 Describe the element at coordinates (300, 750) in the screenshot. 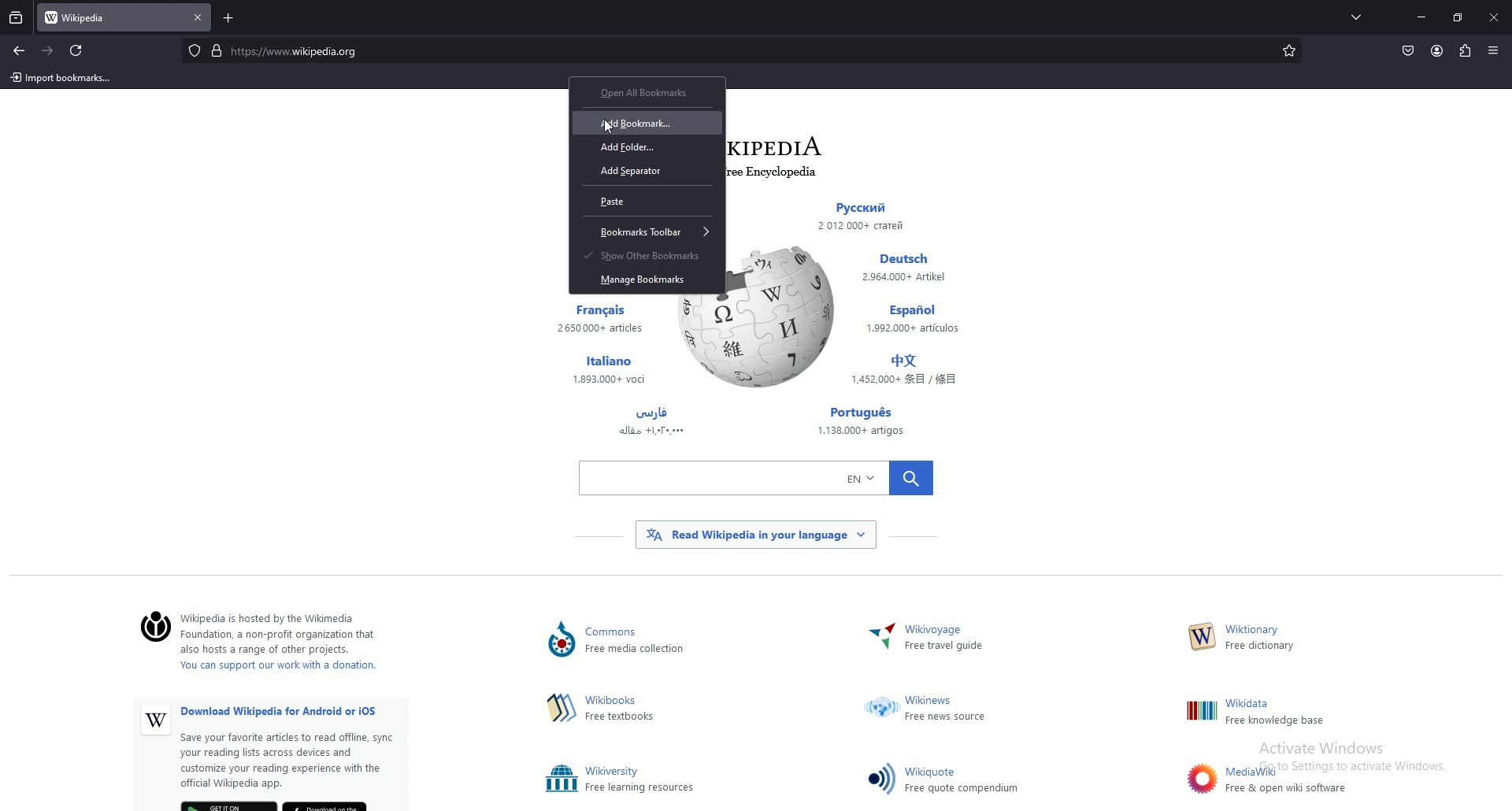

I see `` at that location.